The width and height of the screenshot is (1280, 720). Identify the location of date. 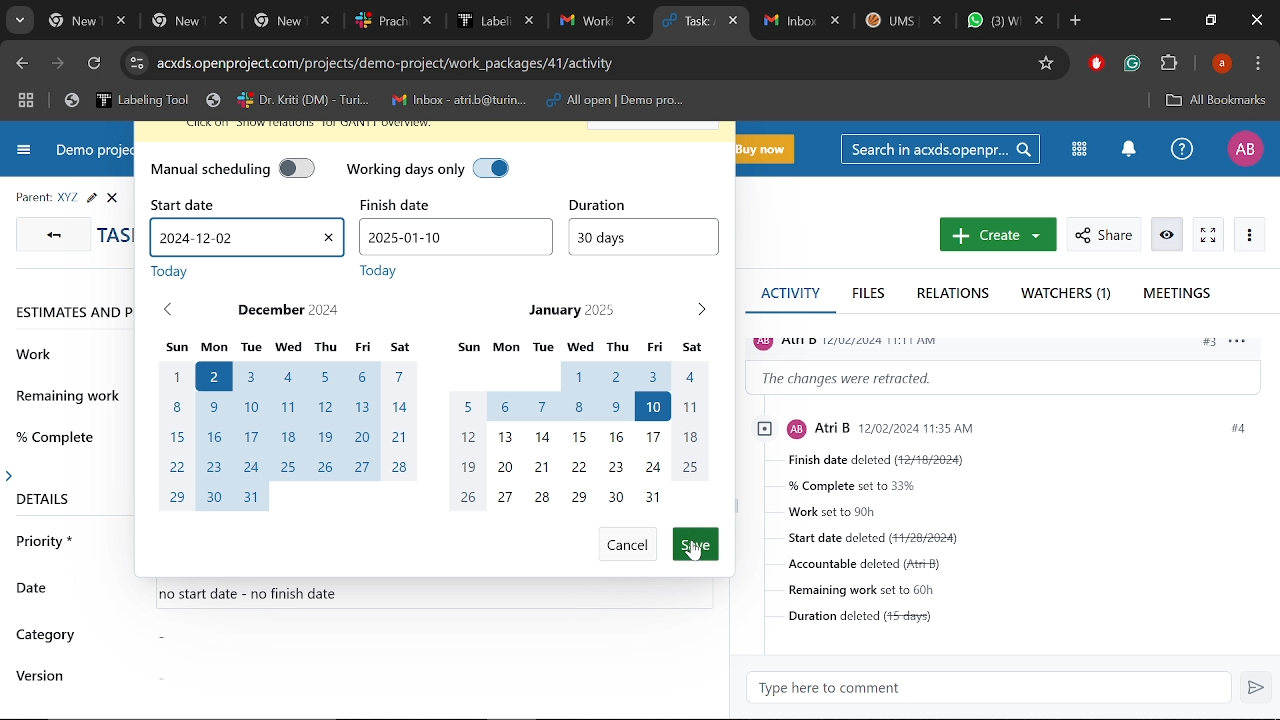
(38, 588).